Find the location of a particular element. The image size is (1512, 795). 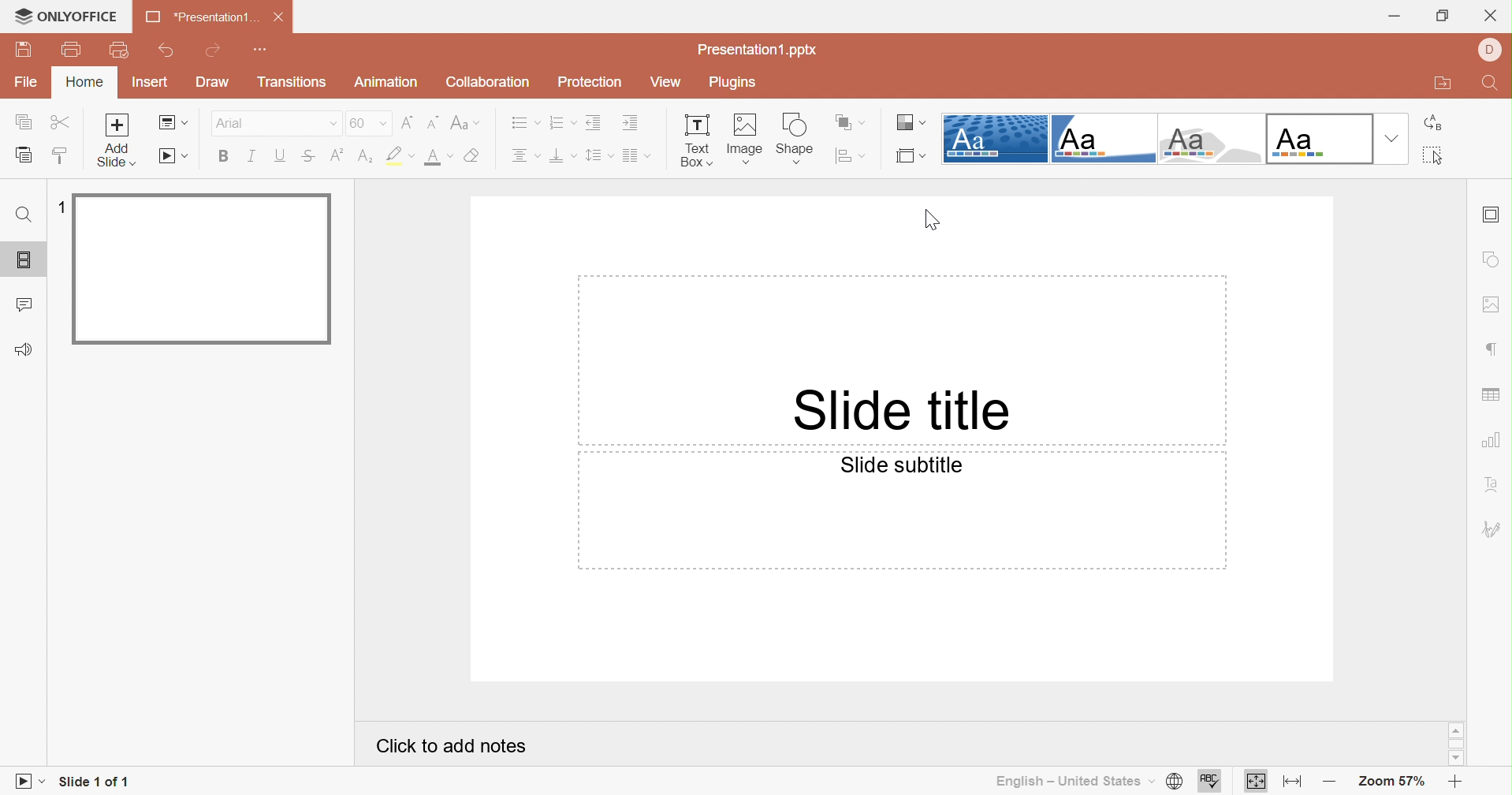

Justified is located at coordinates (635, 157).